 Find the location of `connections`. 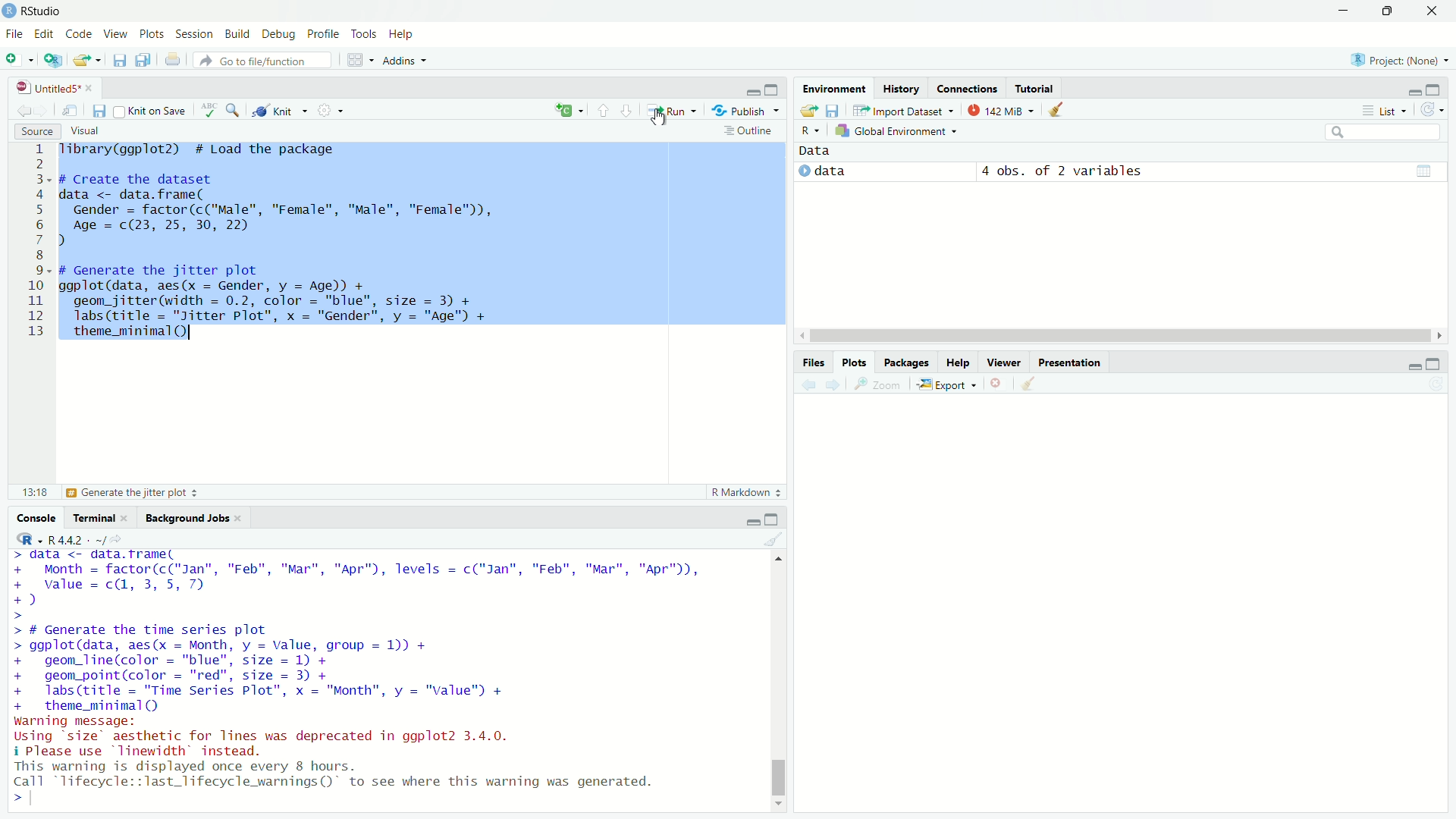

connections is located at coordinates (968, 87).